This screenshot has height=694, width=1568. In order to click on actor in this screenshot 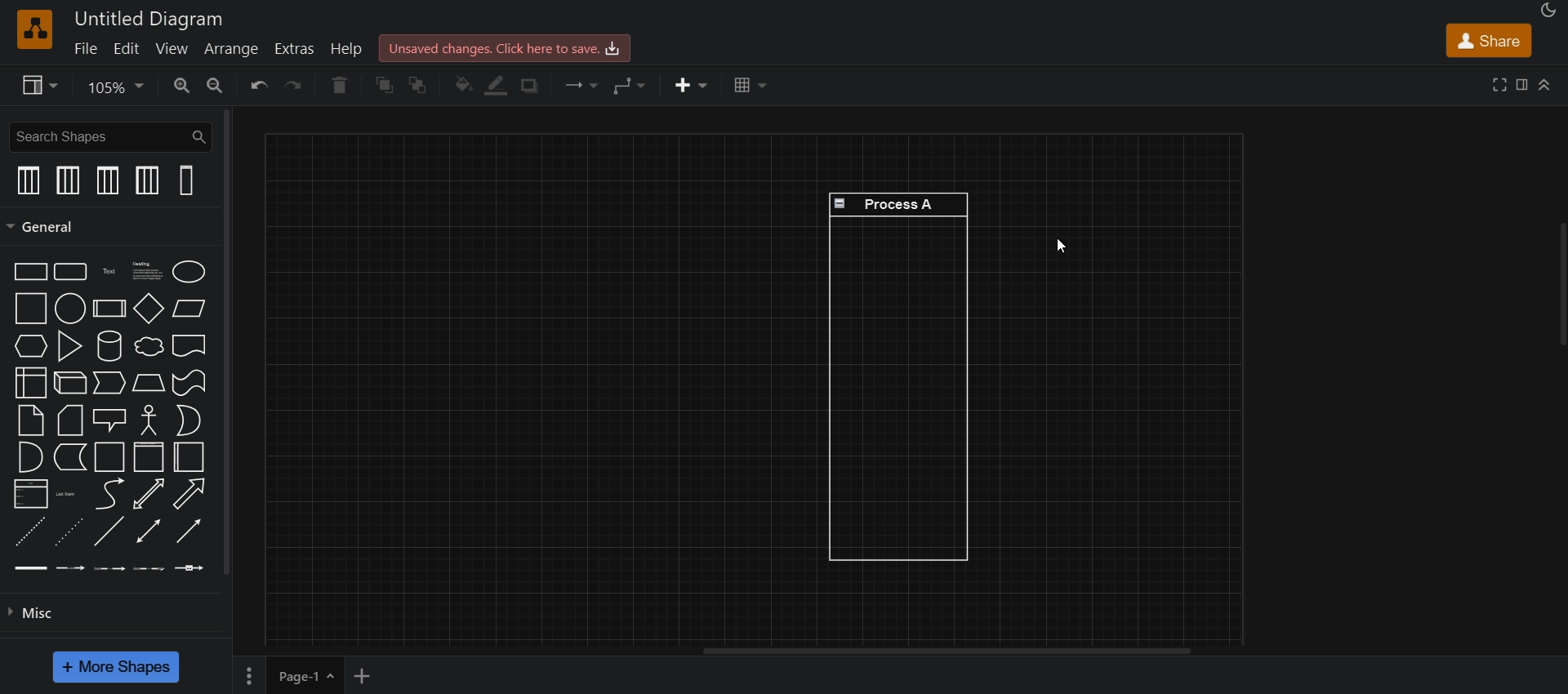, I will do `click(150, 421)`.